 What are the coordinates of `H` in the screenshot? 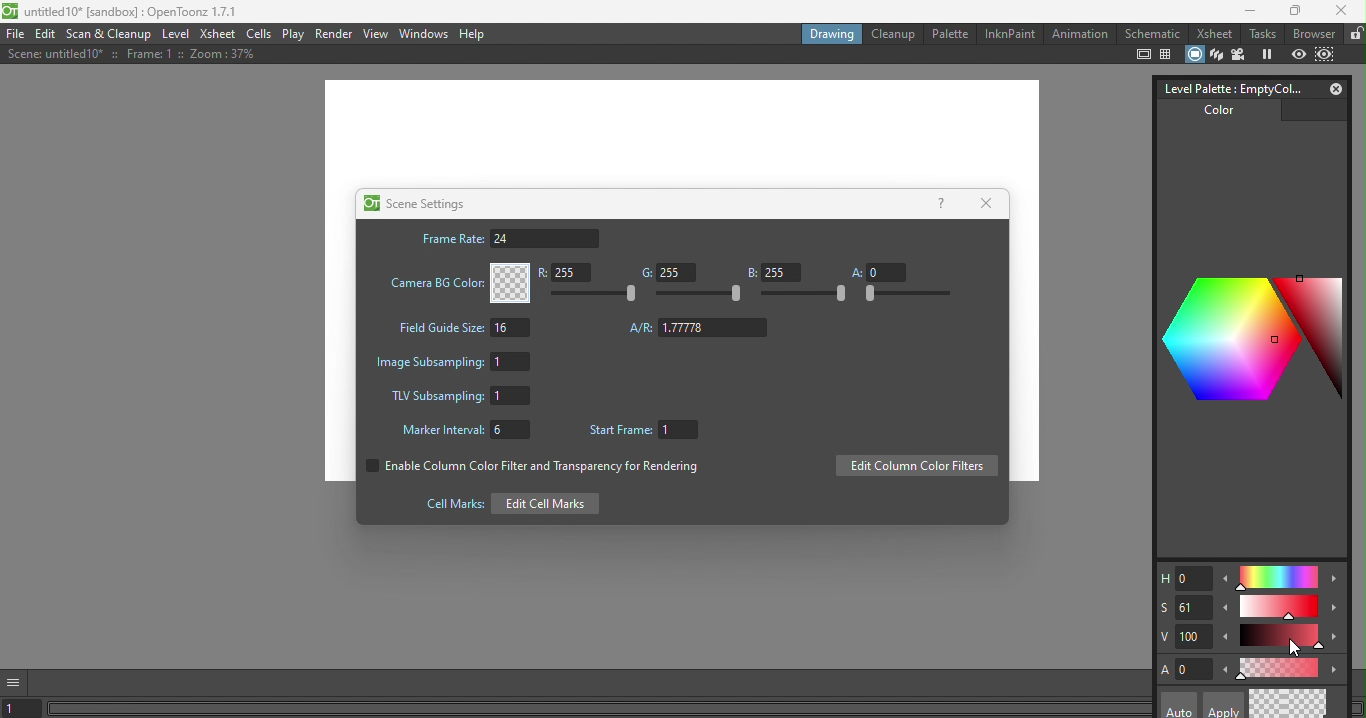 It's located at (1183, 579).